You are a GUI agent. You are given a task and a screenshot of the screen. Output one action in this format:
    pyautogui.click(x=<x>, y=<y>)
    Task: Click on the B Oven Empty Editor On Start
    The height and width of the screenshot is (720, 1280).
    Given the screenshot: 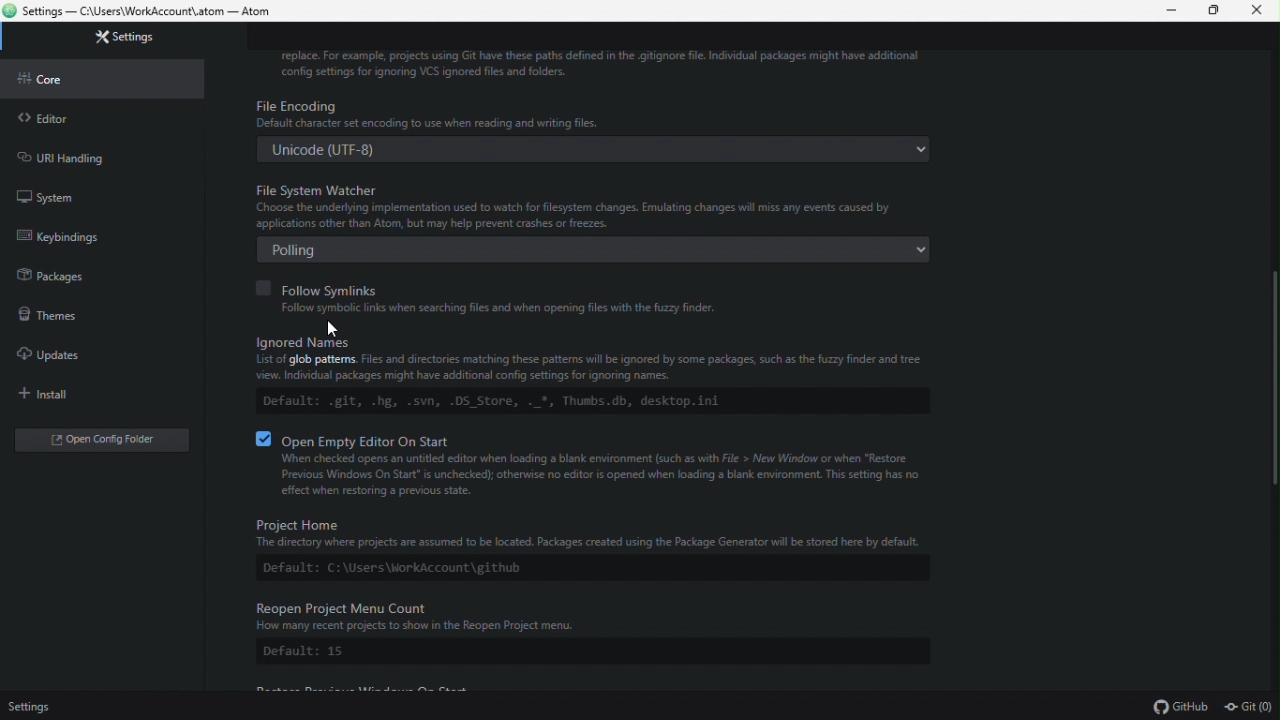 What is the action you would take?
    pyautogui.click(x=356, y=435)
    